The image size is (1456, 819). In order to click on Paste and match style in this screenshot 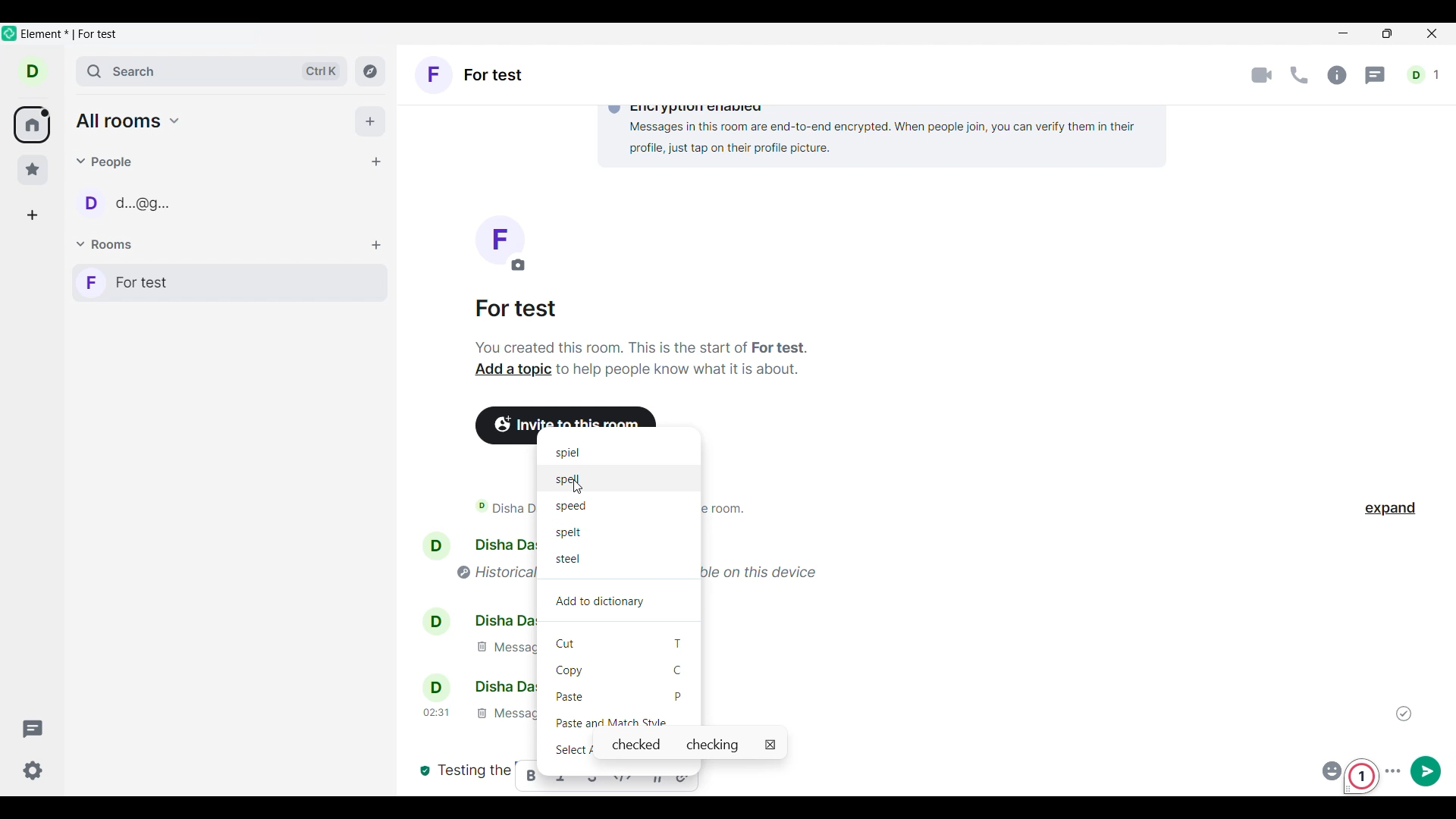, I will do `click(620, 720)`.